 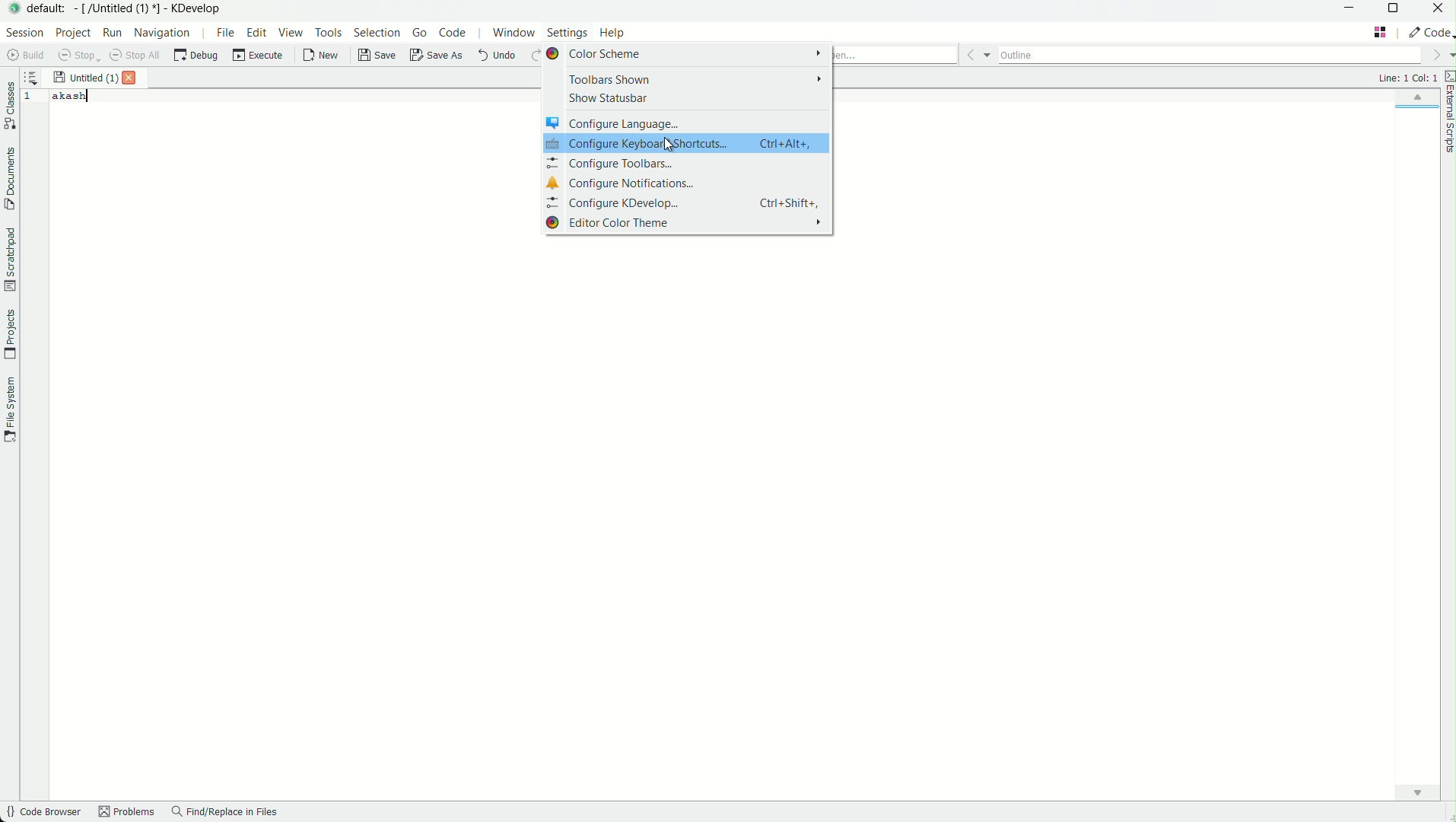 What do you see at coordinates (1350, 9) in the screenshot?
I see `minimize` at bounding box center [1350, 9].